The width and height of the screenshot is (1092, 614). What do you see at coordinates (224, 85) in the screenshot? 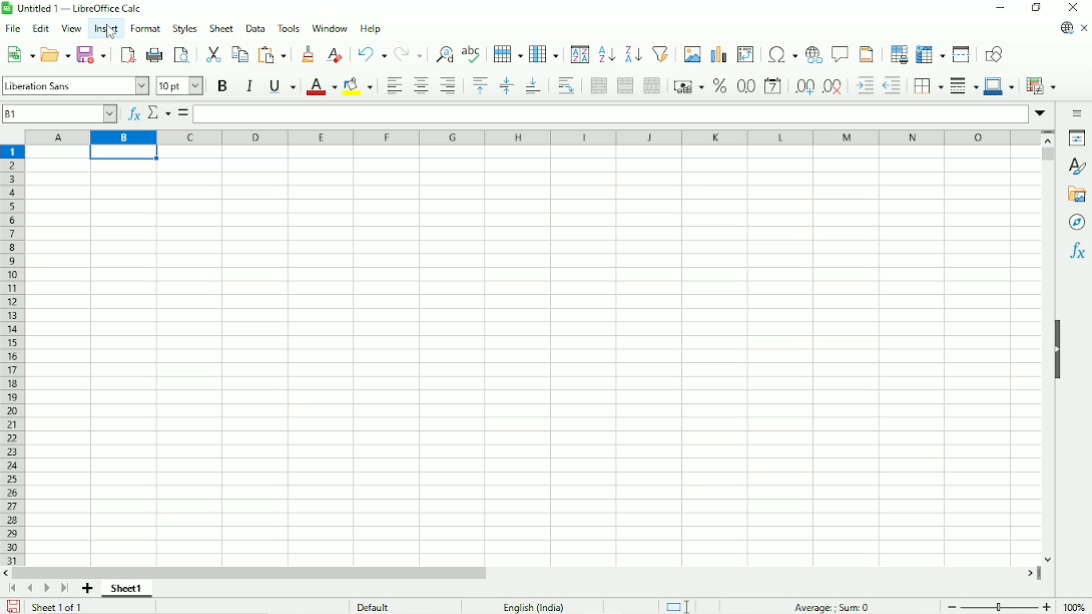
I see `Bold` at bounding box center [224, 85].